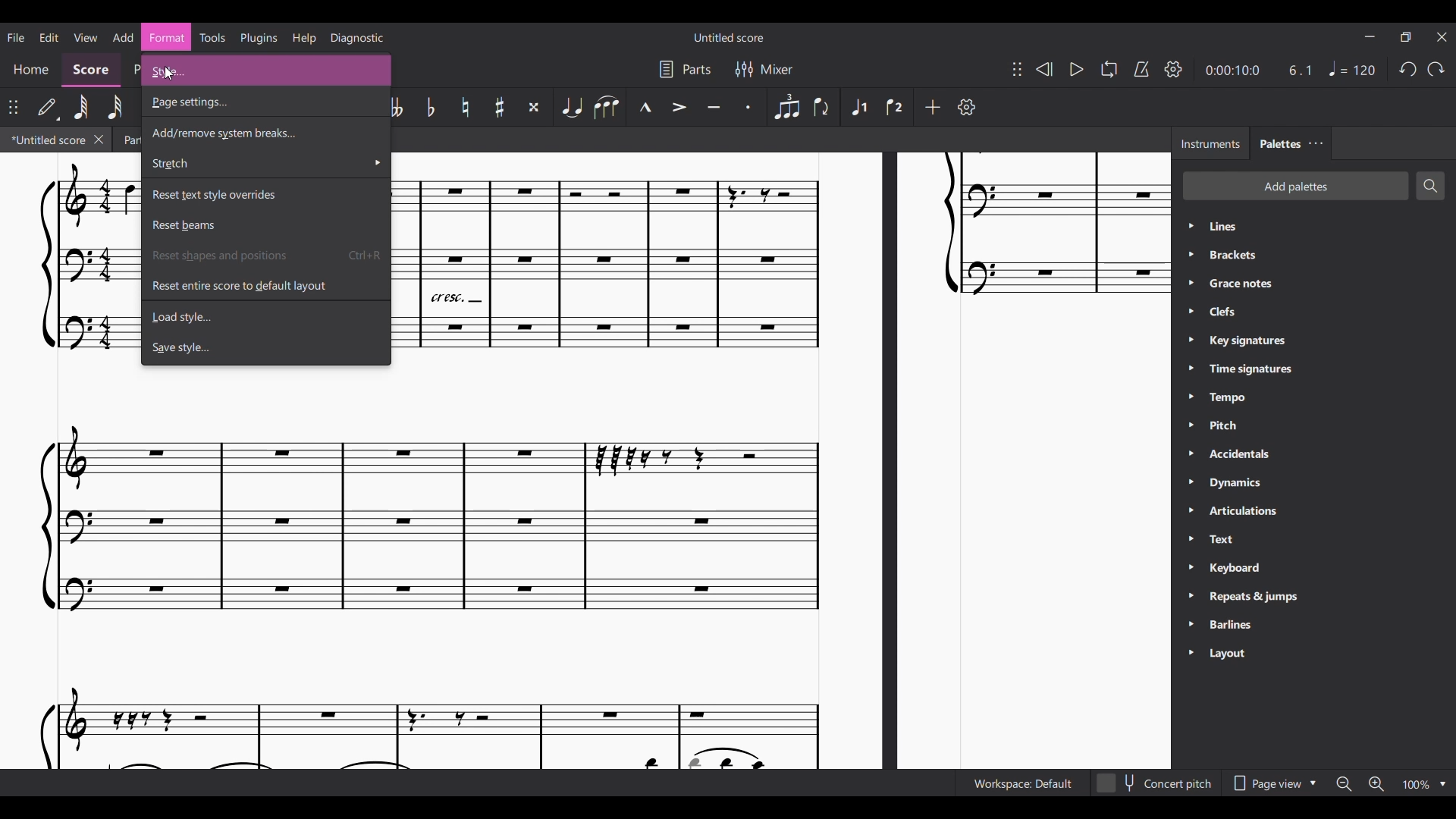  What do you see at coordinates (571, 107) in the screenshot?
I see `Tie` at bounding box center [571, 107].